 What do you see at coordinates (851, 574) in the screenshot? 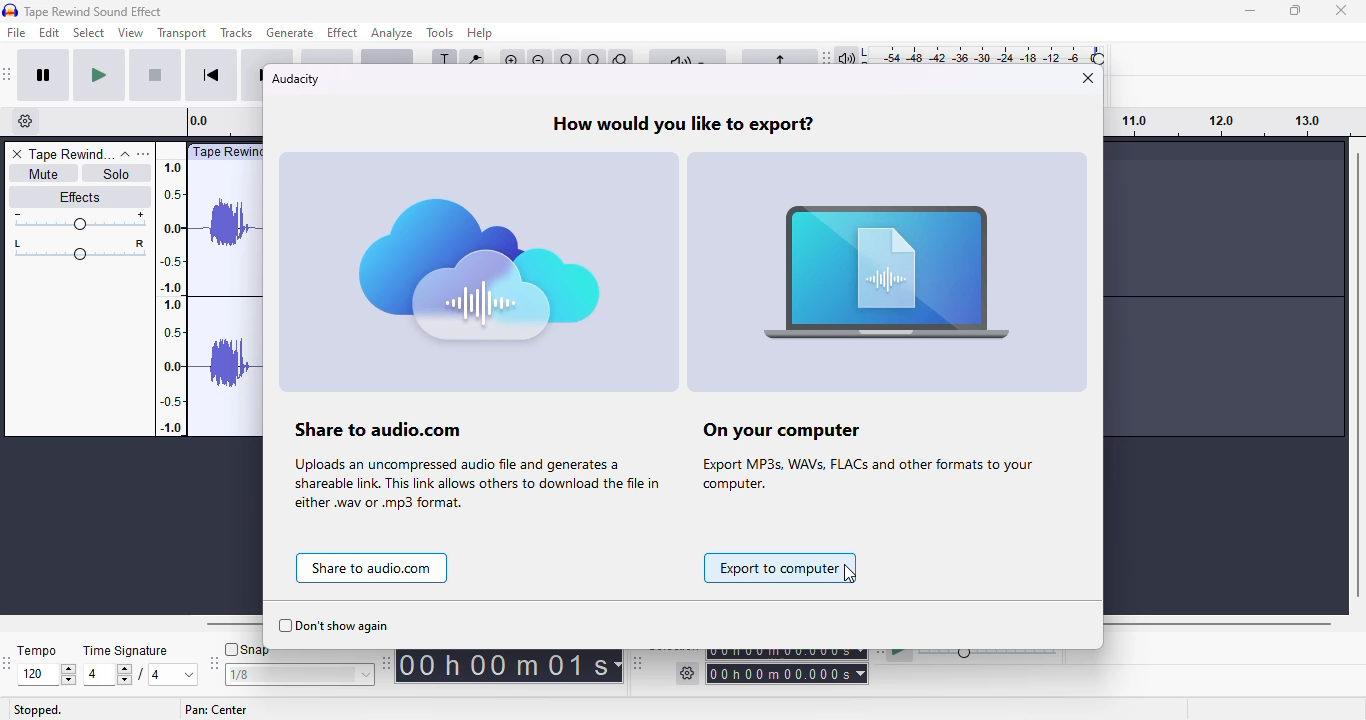
I see `cursor` at bounding box center [851, 574].